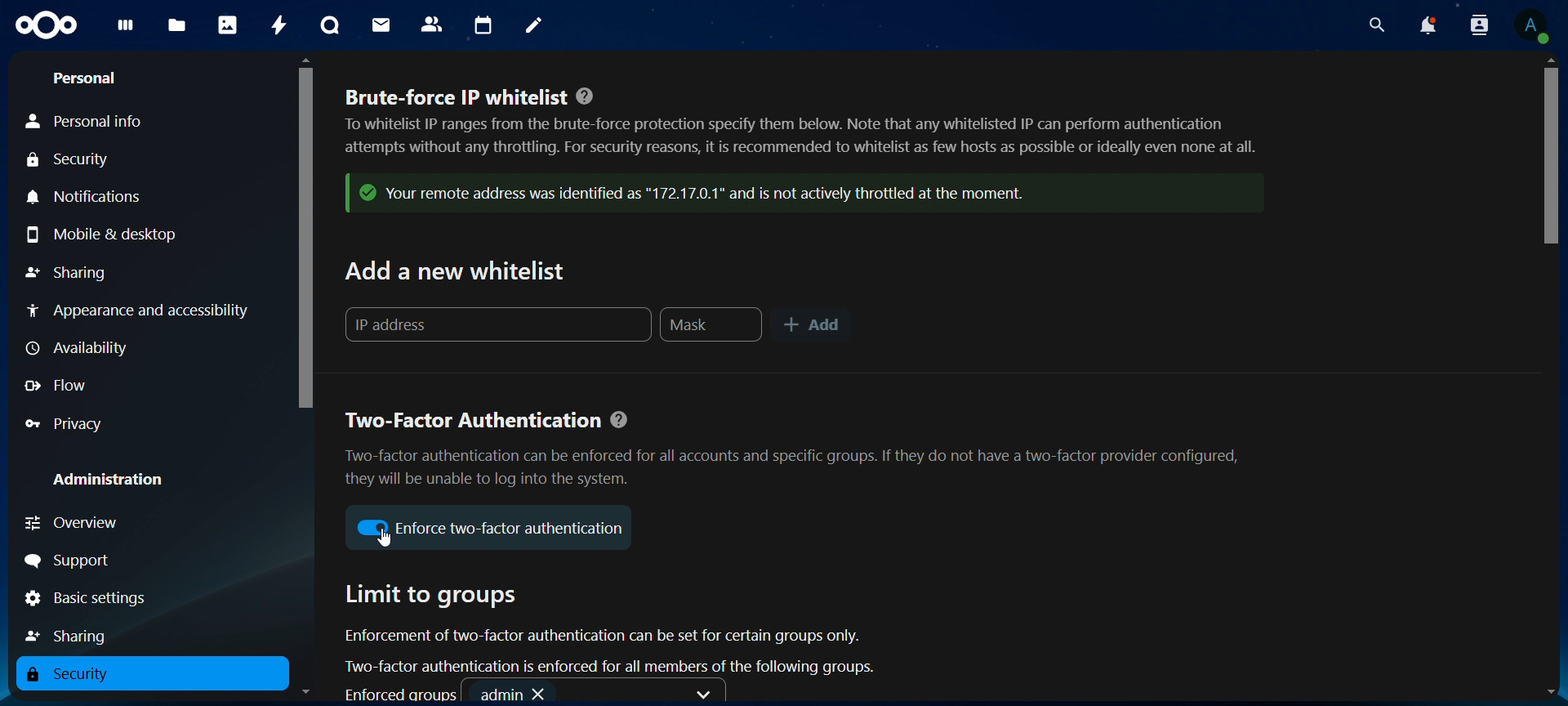  I want to click on brute-force IP whitelist, so click(798, 130).